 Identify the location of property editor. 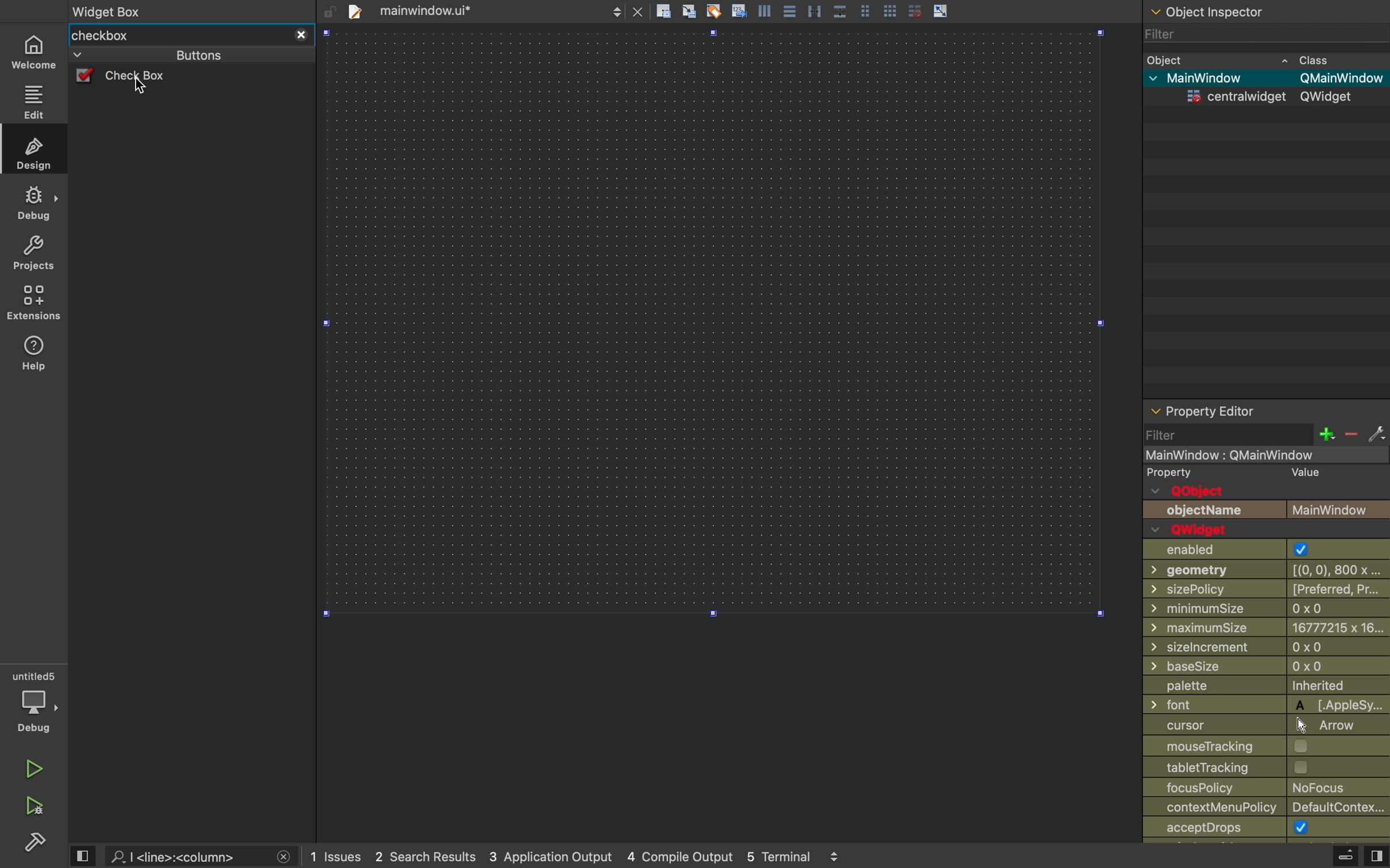
(1267, 411).